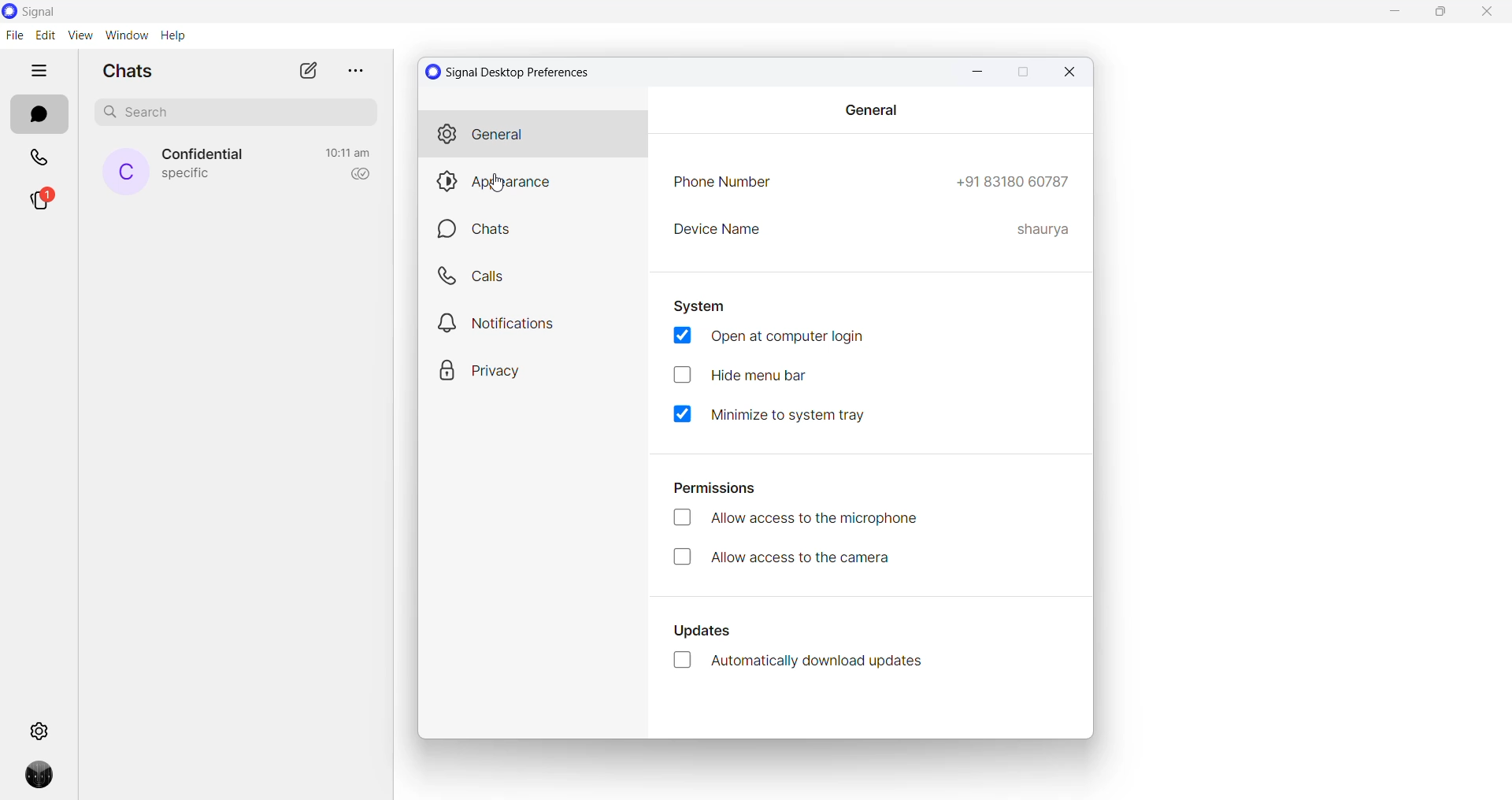 Image resolution: width=1512 pixels, height=800 pixels. I want to click on appearance, so click(533, 183).